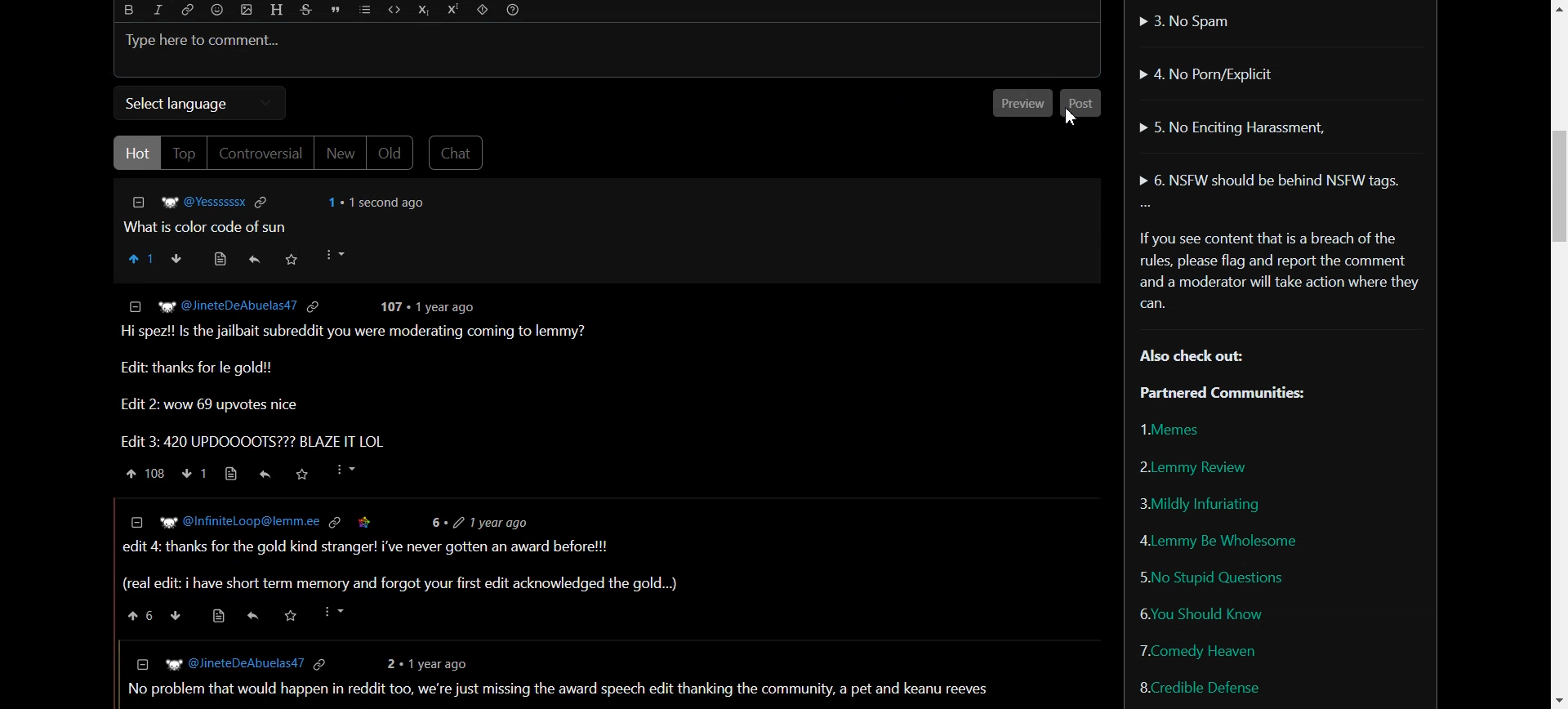 This screenshot has width=1568, height=709. What do you see at coordinates (336, 256) in the screenshot?
I see `More` at bounding box center [336, 256].